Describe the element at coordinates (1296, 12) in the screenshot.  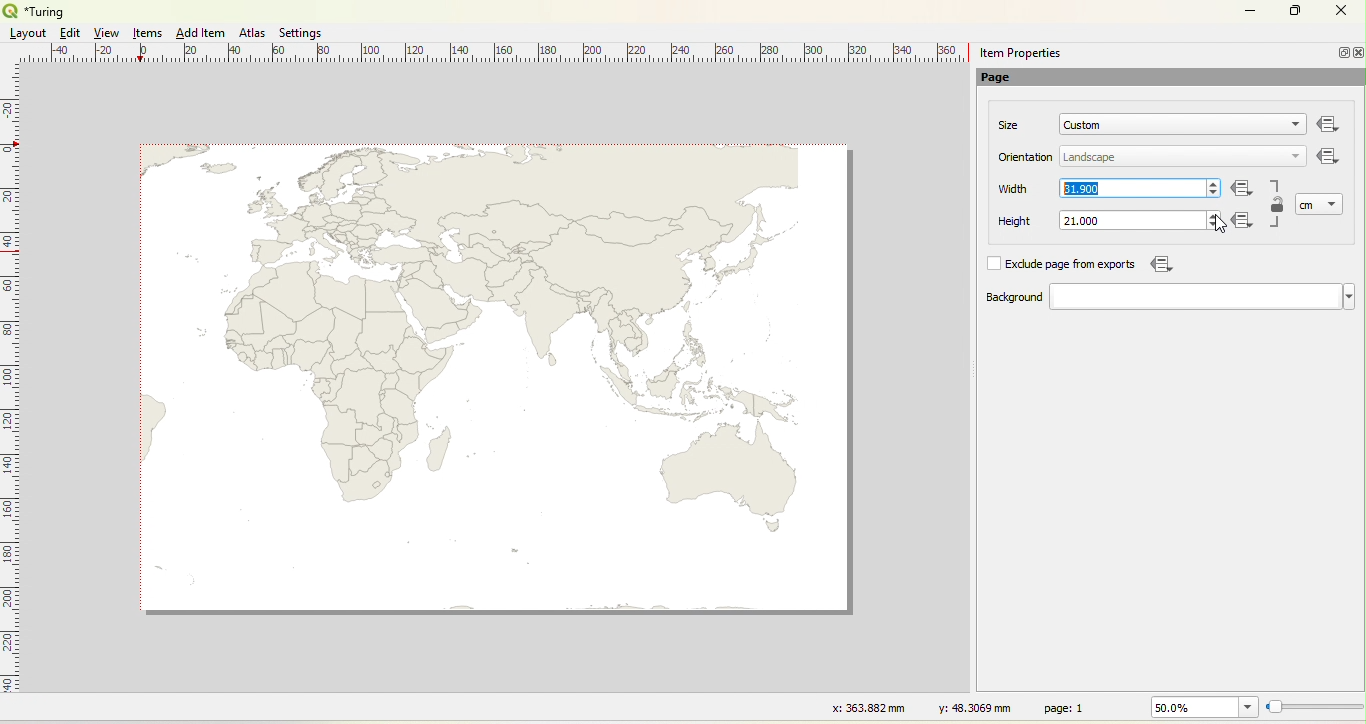
I see `Maximize` at that location.